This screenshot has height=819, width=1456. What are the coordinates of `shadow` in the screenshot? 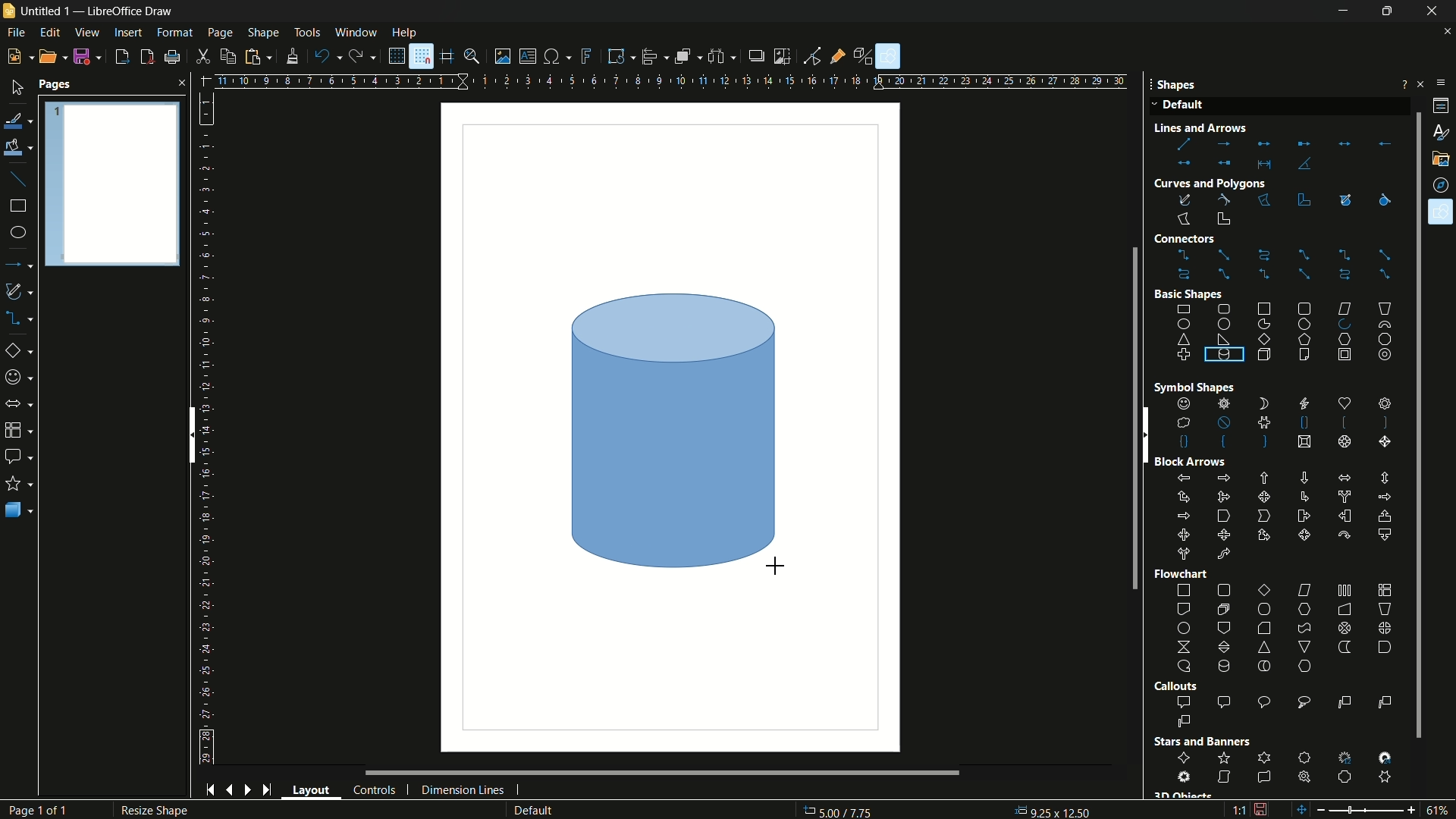 It's located at (755, 55).